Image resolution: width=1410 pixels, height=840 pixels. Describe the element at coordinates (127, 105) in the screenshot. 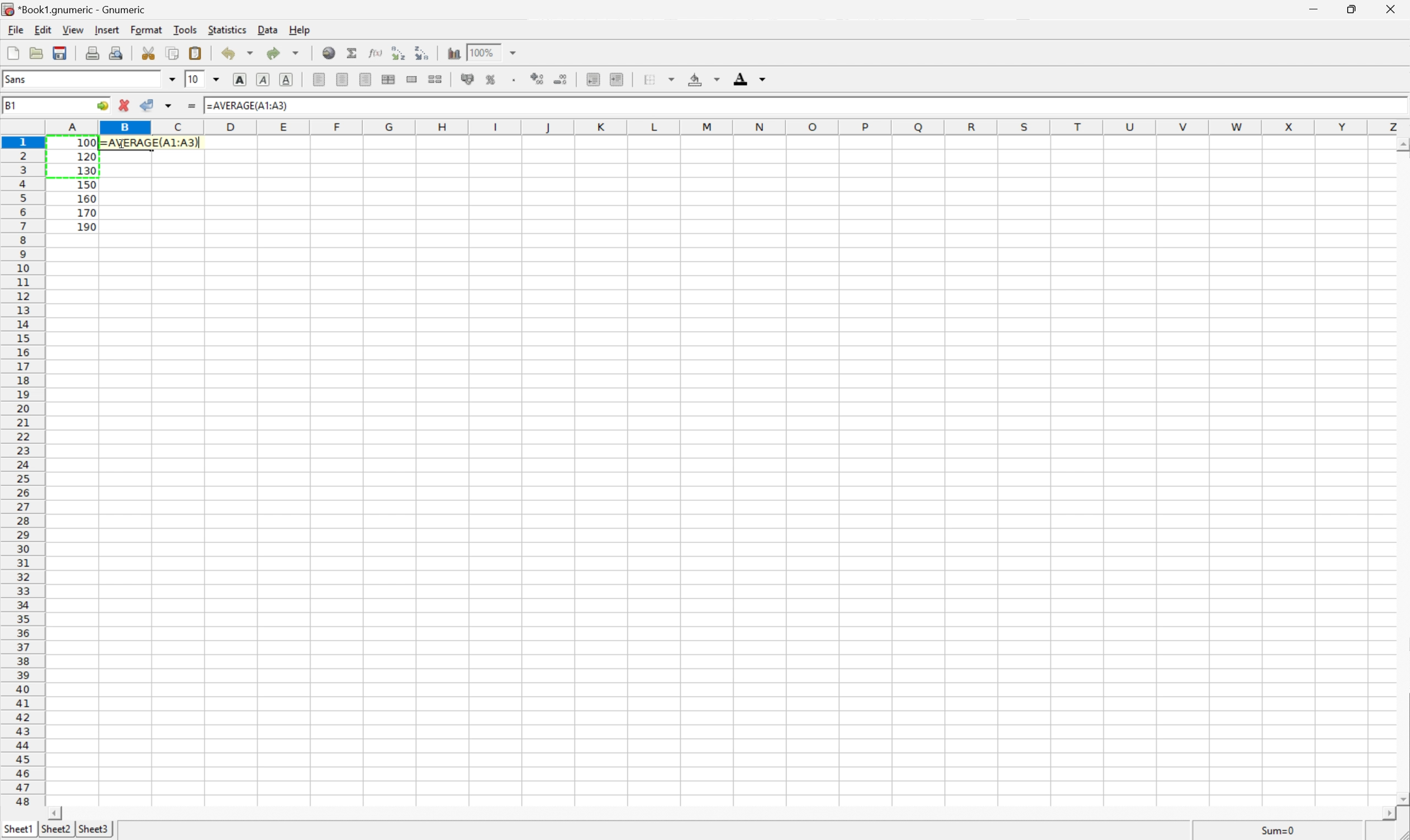

I see `Cancel changes` at that location.